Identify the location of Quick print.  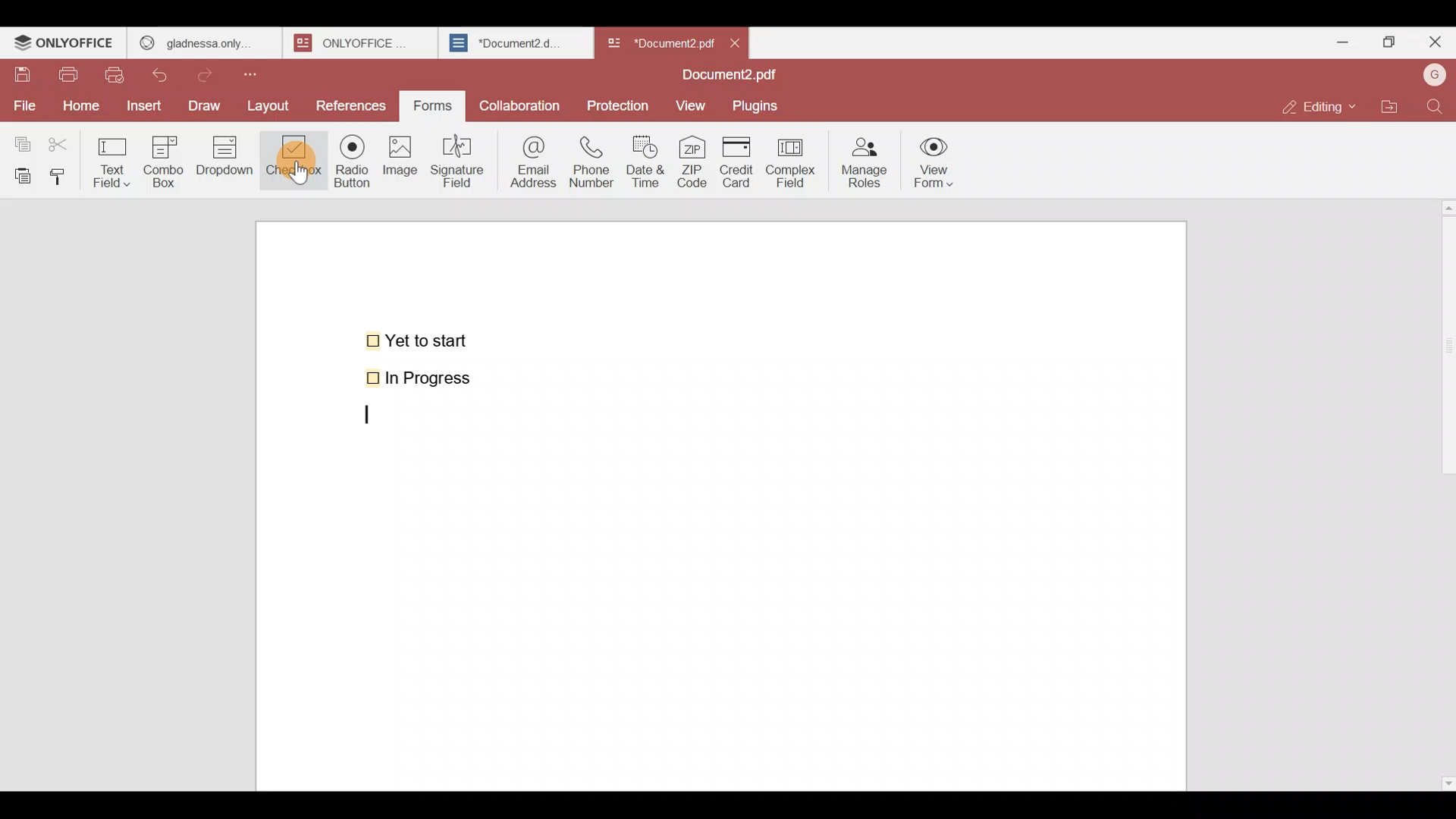
(119, 74).